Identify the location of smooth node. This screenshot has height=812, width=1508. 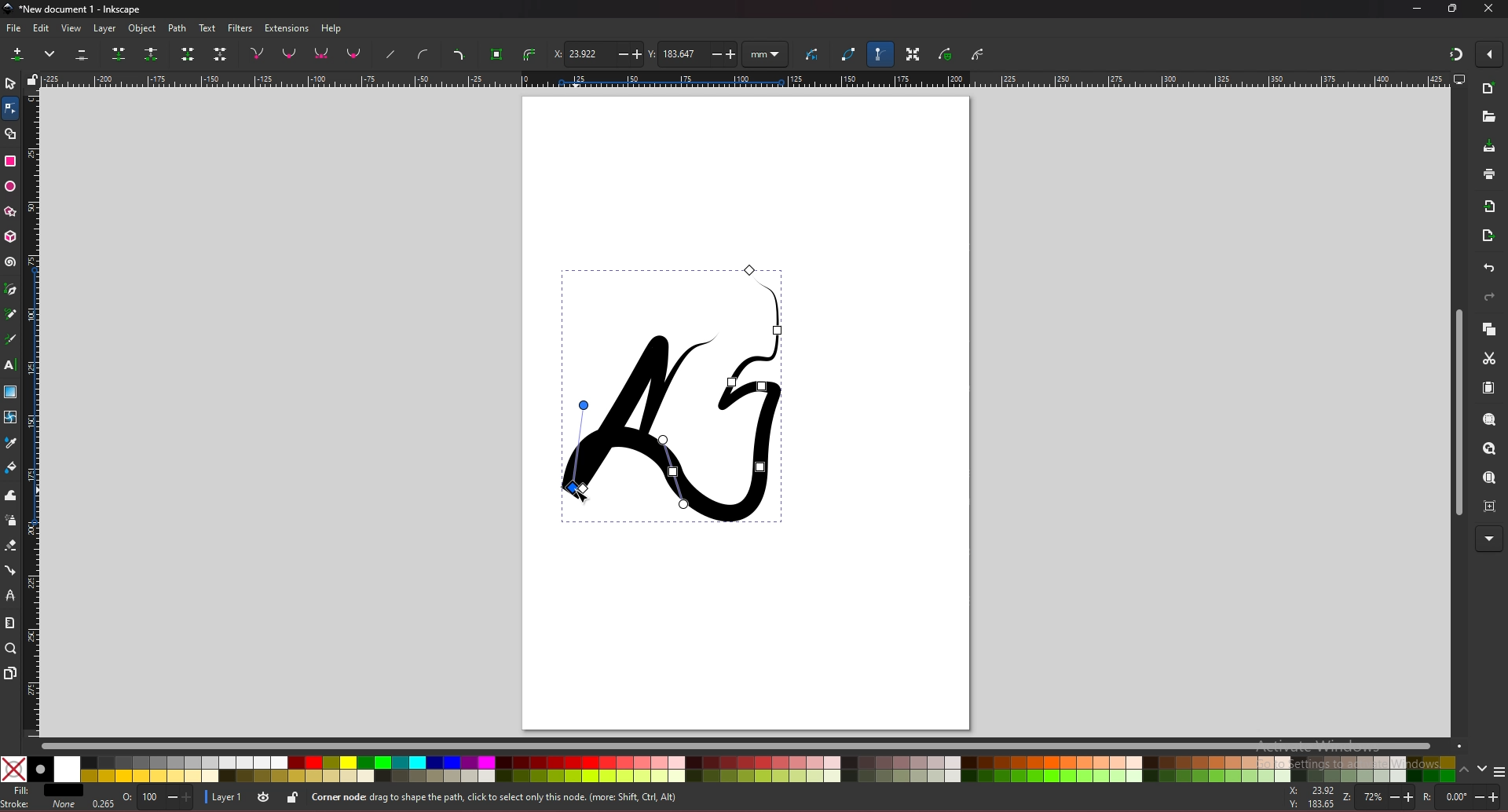
(289, 53).